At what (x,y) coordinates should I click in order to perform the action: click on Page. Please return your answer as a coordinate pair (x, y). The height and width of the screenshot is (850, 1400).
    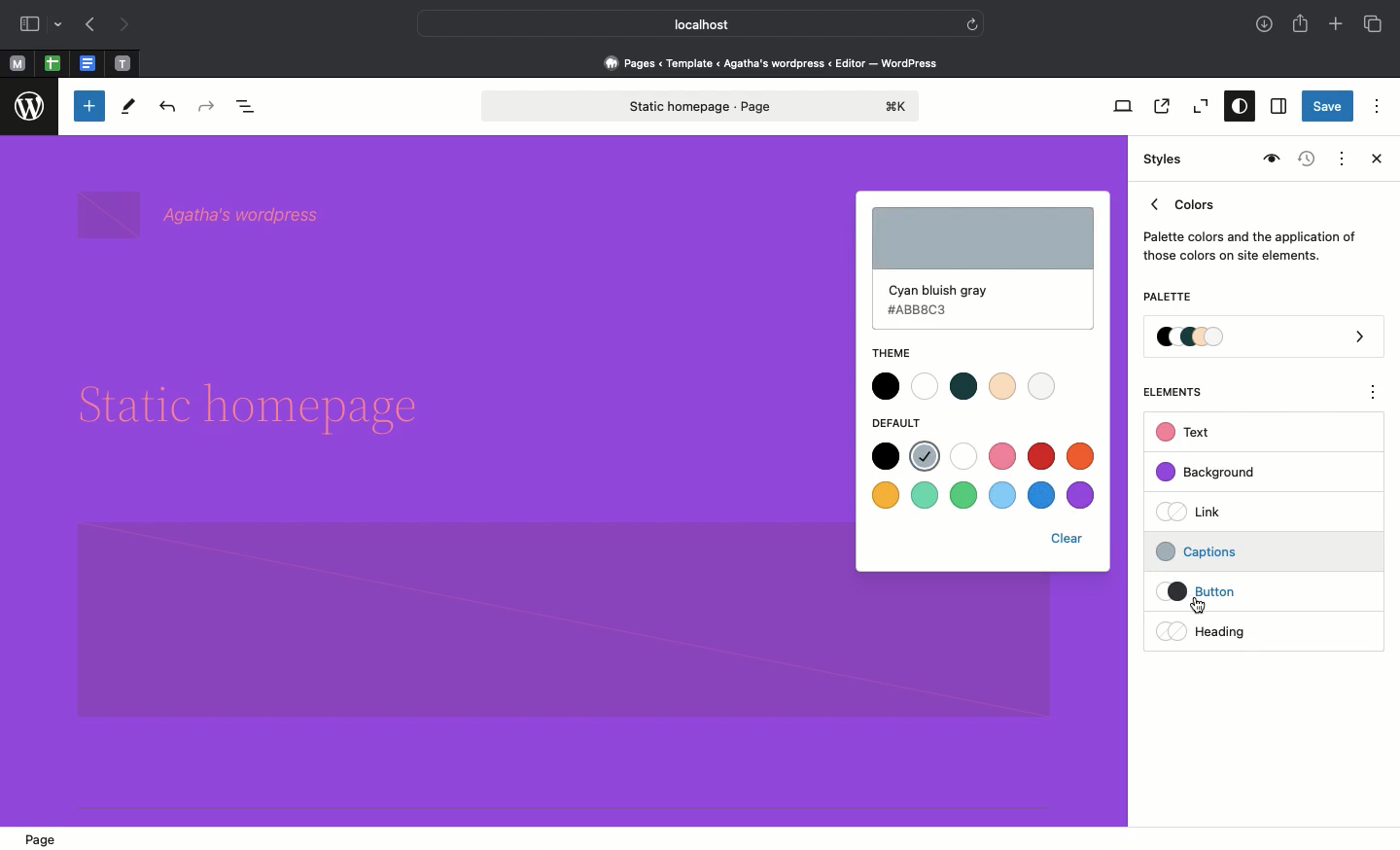
    Looking at the image, I should click on (44, 836).